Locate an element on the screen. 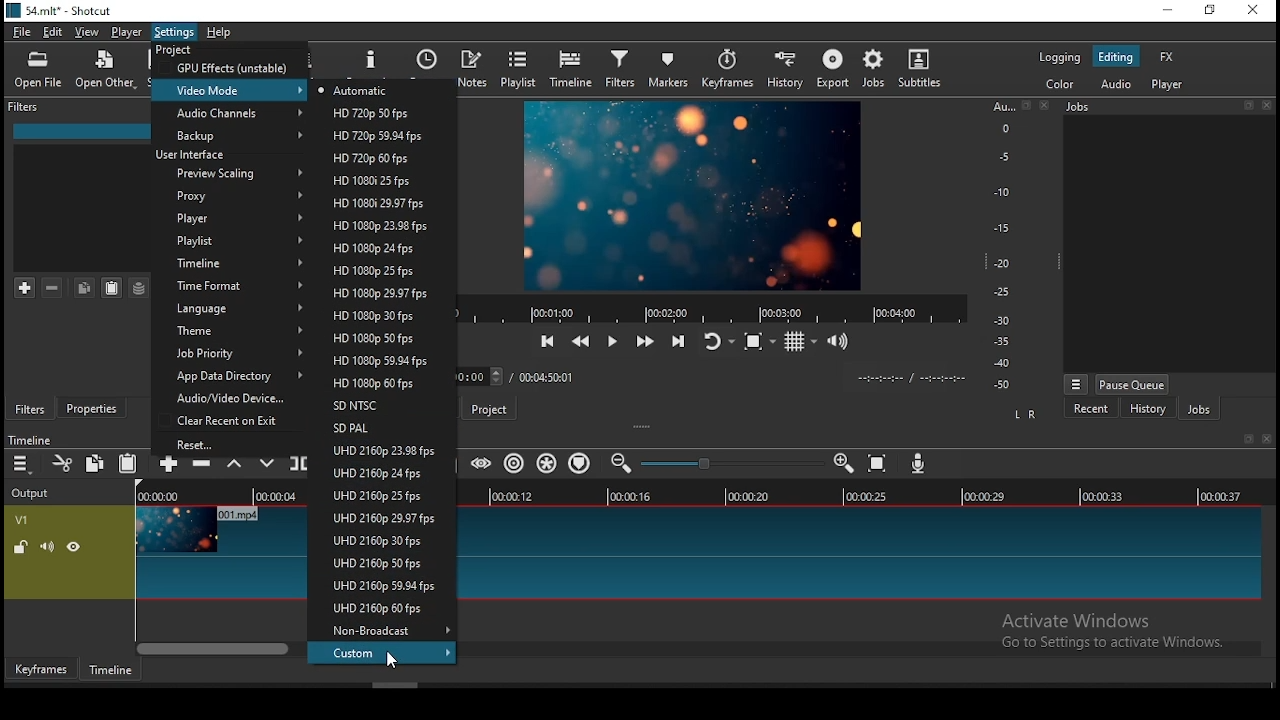  toggle player looping is located at coordinates (717, 340).